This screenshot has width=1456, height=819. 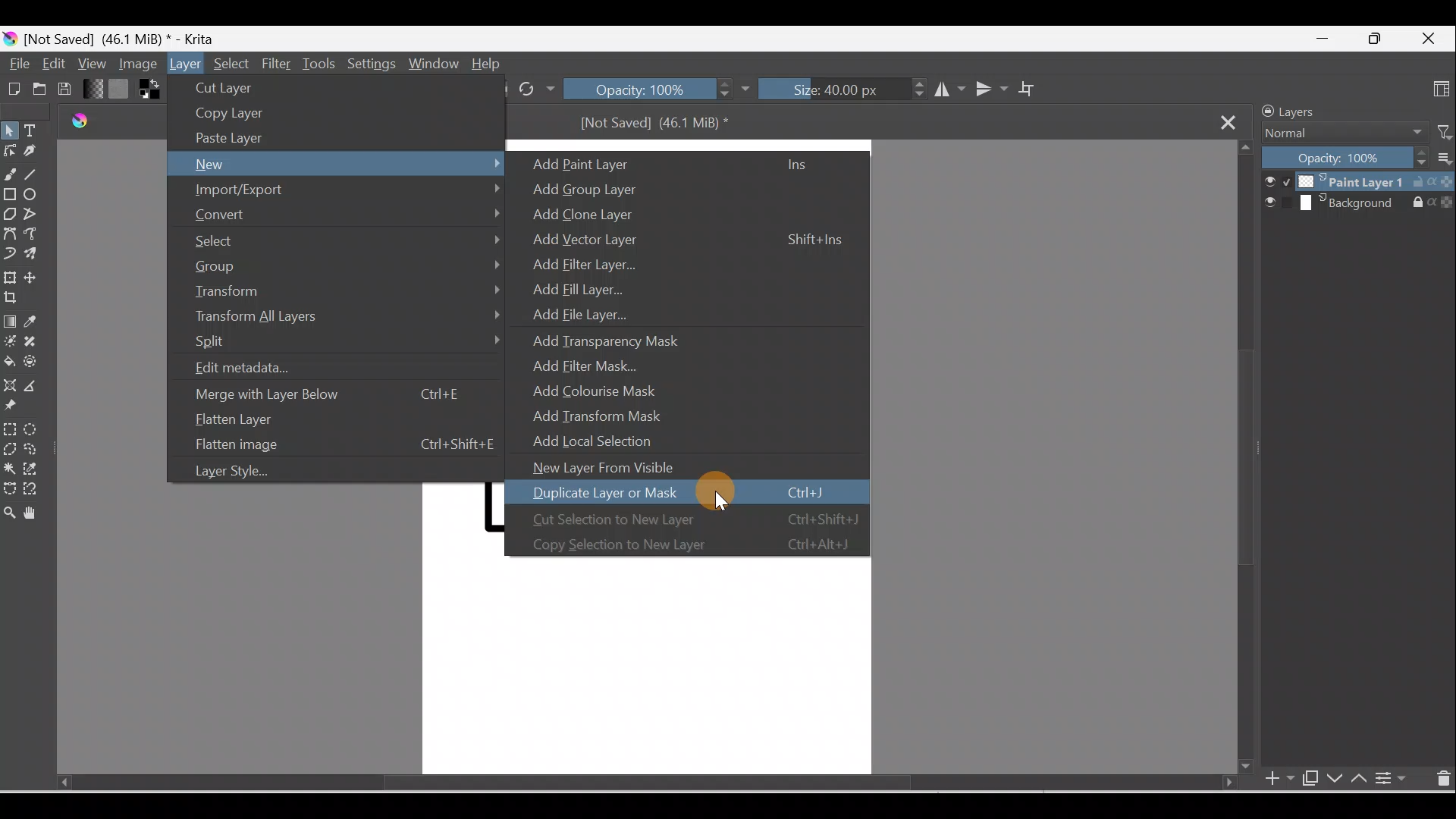 What do you see at coordinates (42, 322) in the screenshot?
I see `Sample a colour from the image/current layer` at bounding box center [42, 322].